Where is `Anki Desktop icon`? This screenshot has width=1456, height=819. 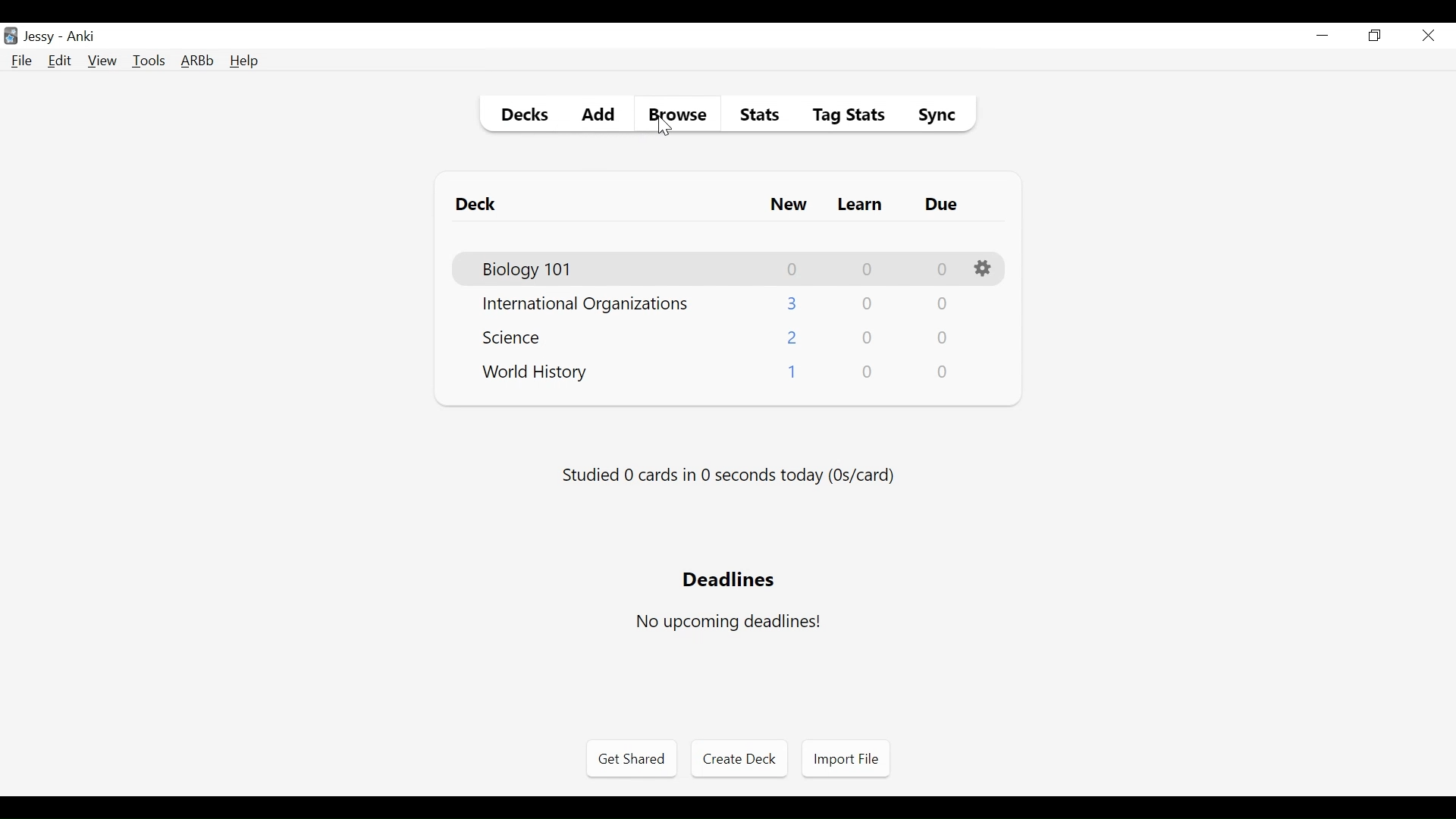 Anki Desktop icon is located at coordinates (11, 36).